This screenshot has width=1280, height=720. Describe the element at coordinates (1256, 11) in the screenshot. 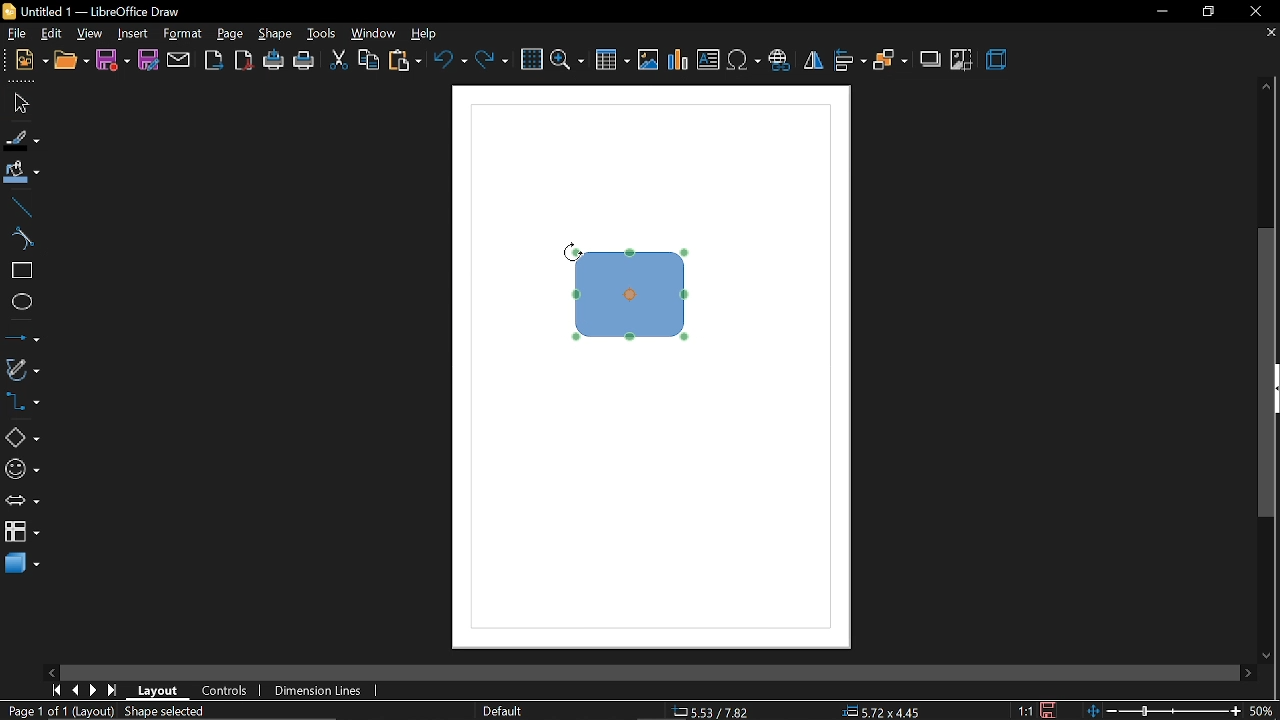

I see `close` at that location.